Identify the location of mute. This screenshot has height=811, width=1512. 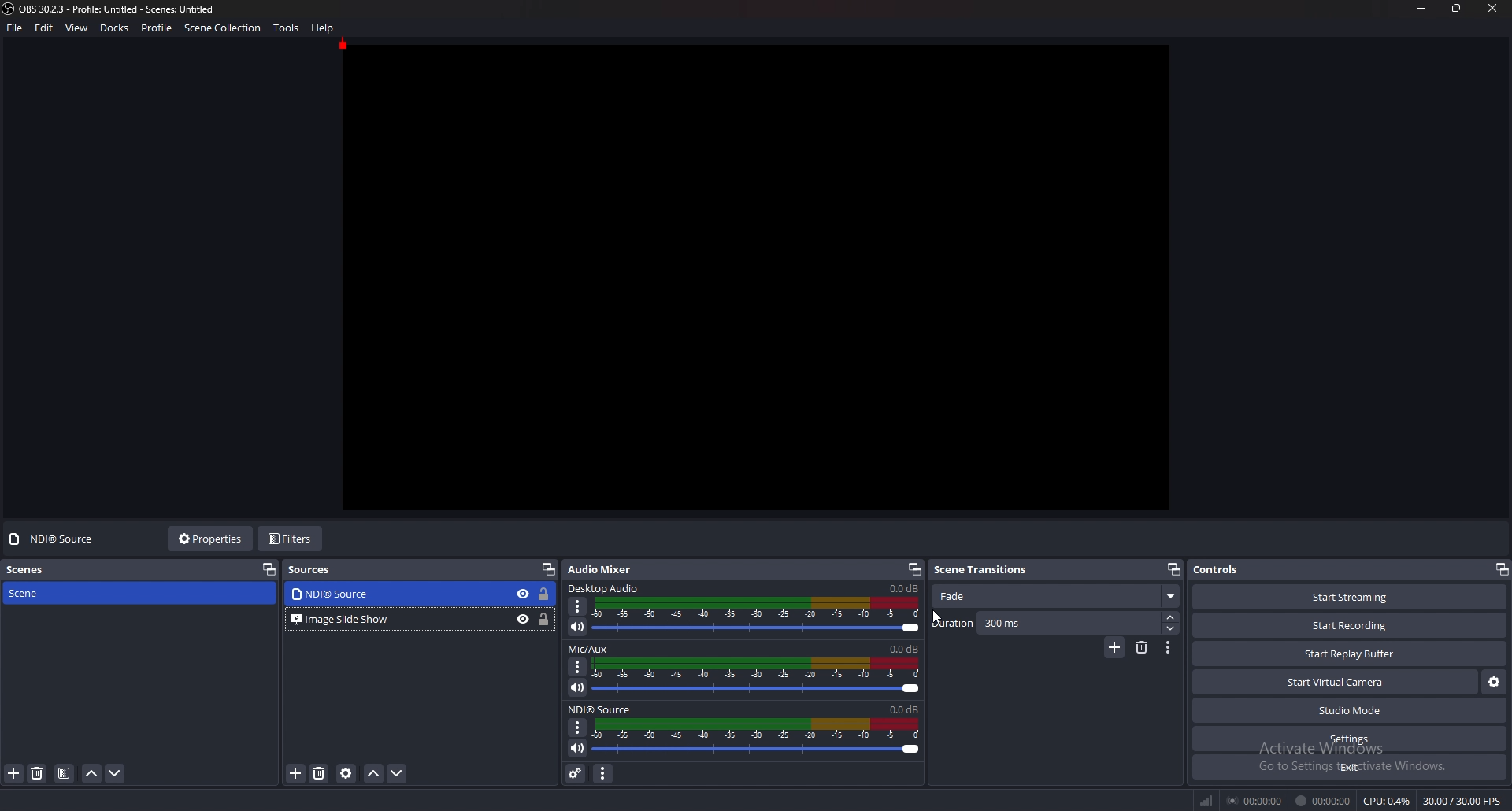
(576, 627).